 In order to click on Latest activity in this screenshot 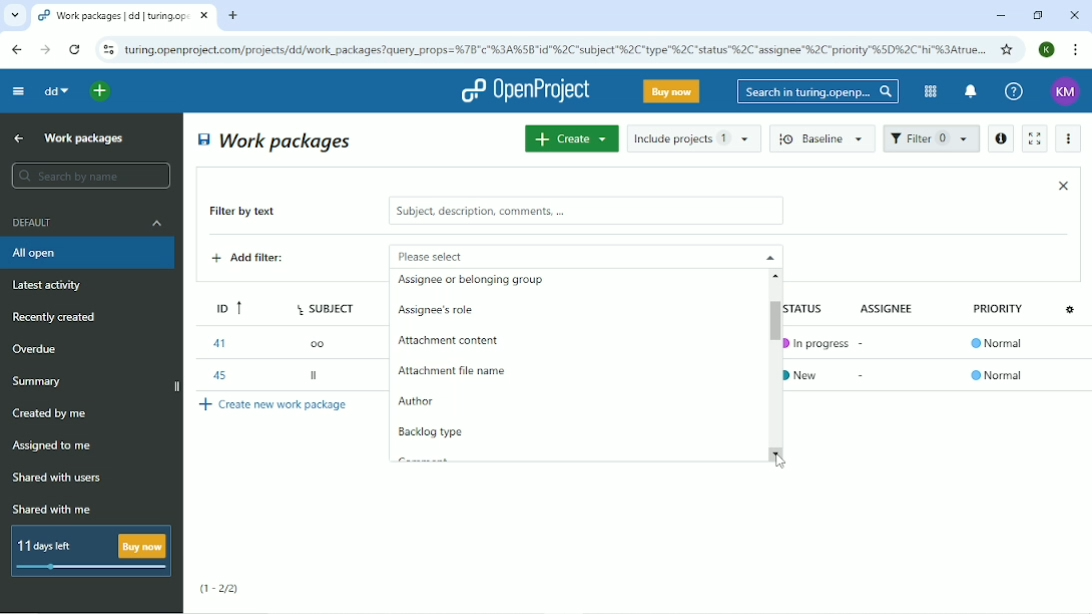, I will do `click(53, 287)`.